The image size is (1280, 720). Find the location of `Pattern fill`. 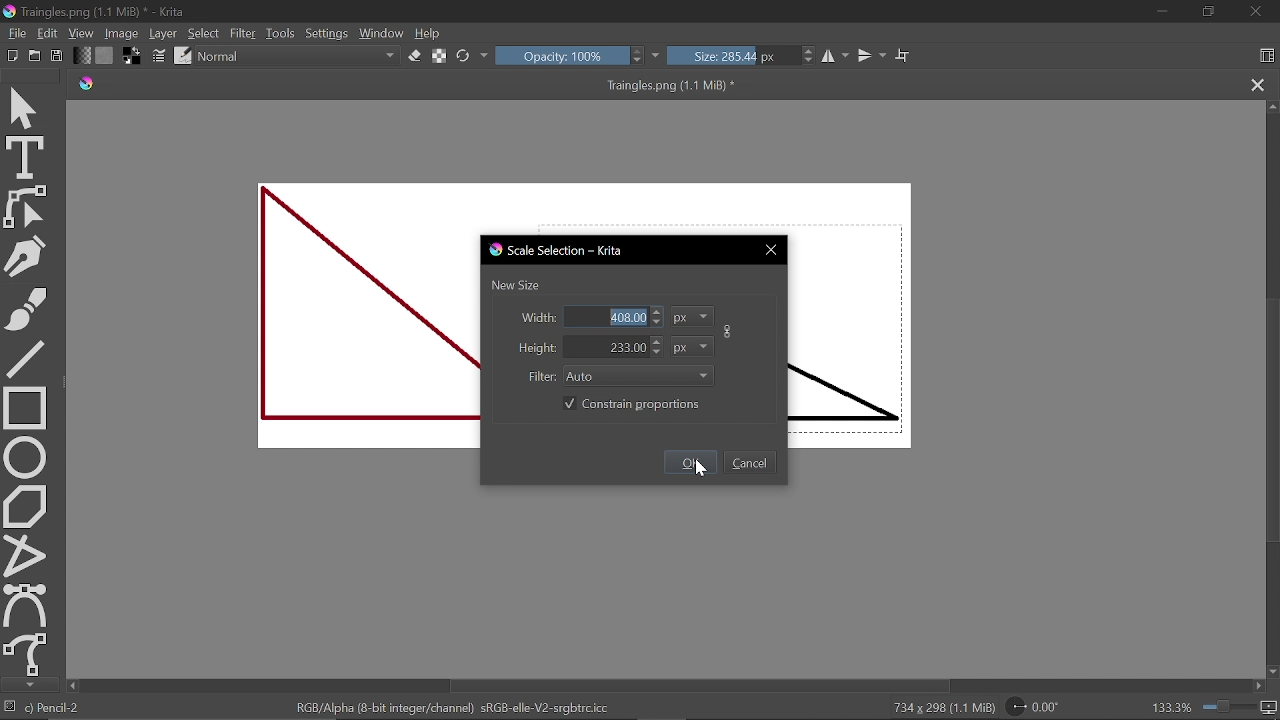

Pattern fill is located at coordinates (106, 56).